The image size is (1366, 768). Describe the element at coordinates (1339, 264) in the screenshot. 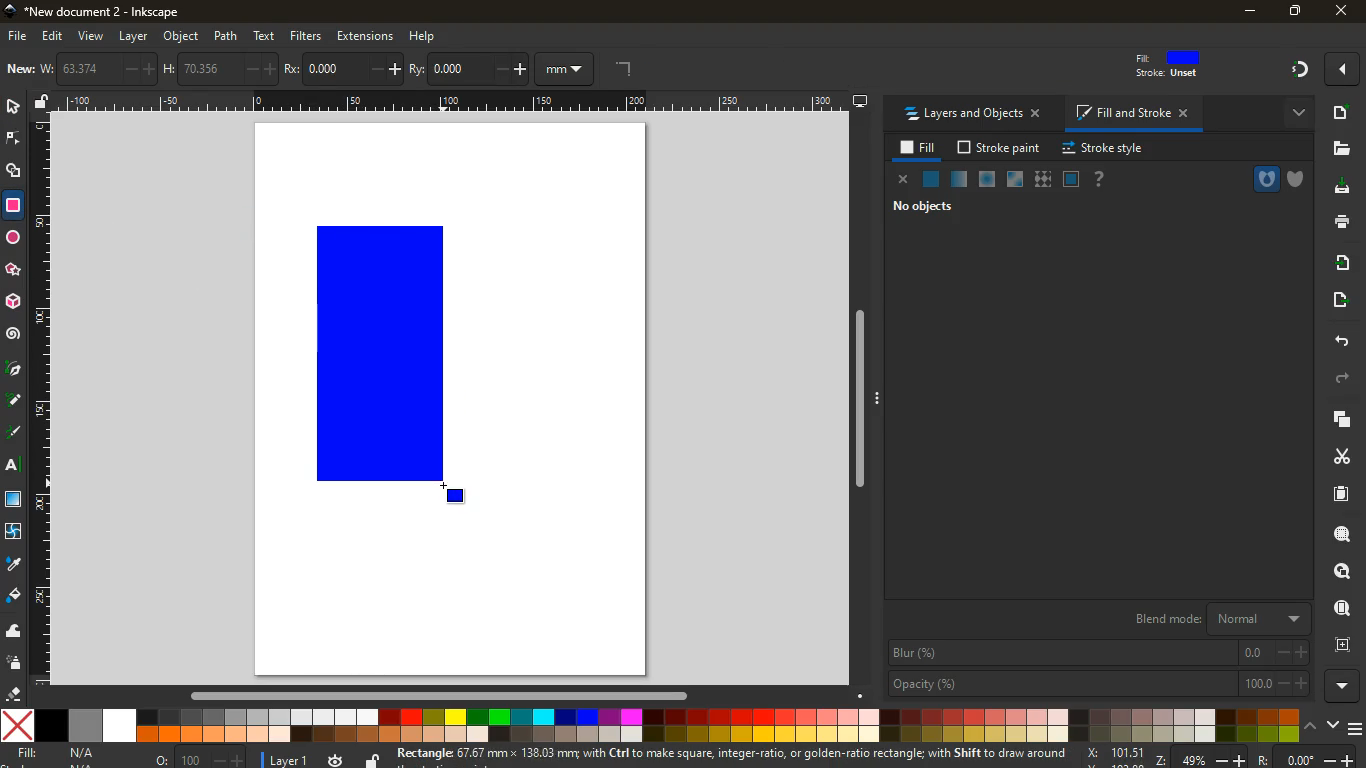

I see `receive` at that location.